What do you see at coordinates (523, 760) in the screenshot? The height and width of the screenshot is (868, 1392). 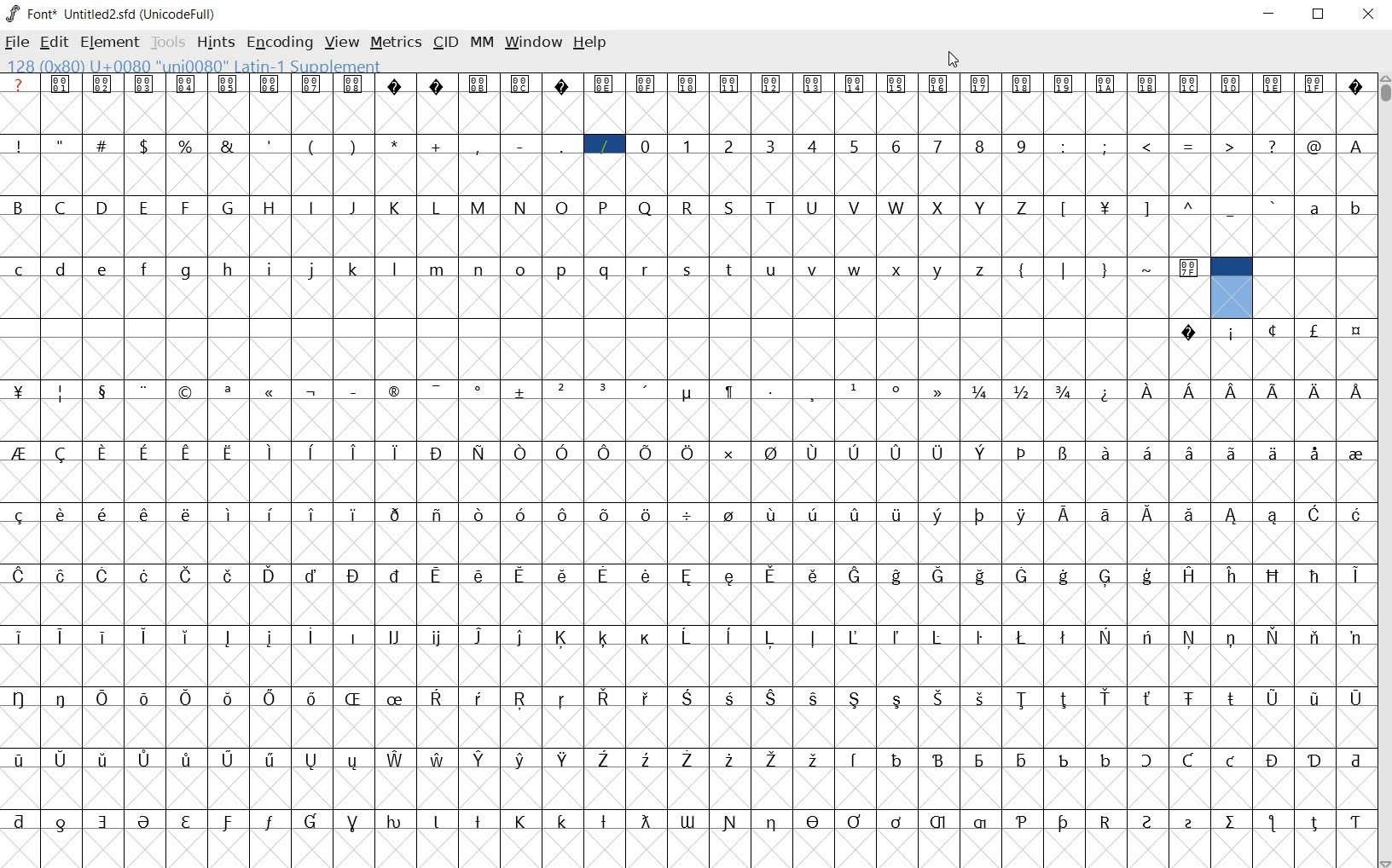 I see `Symbol` at bounding box center [523, 760].